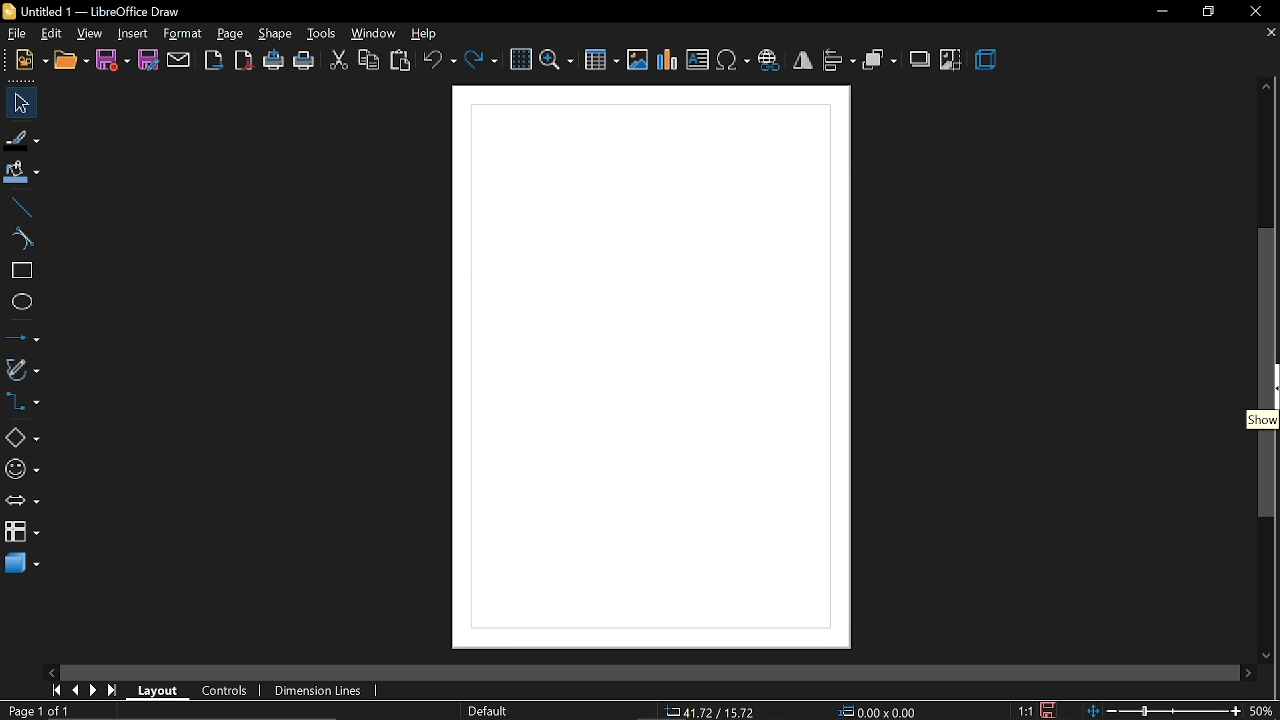 This screenshot has height=720, width=1280. I want to click on close, so click(1258, 13).